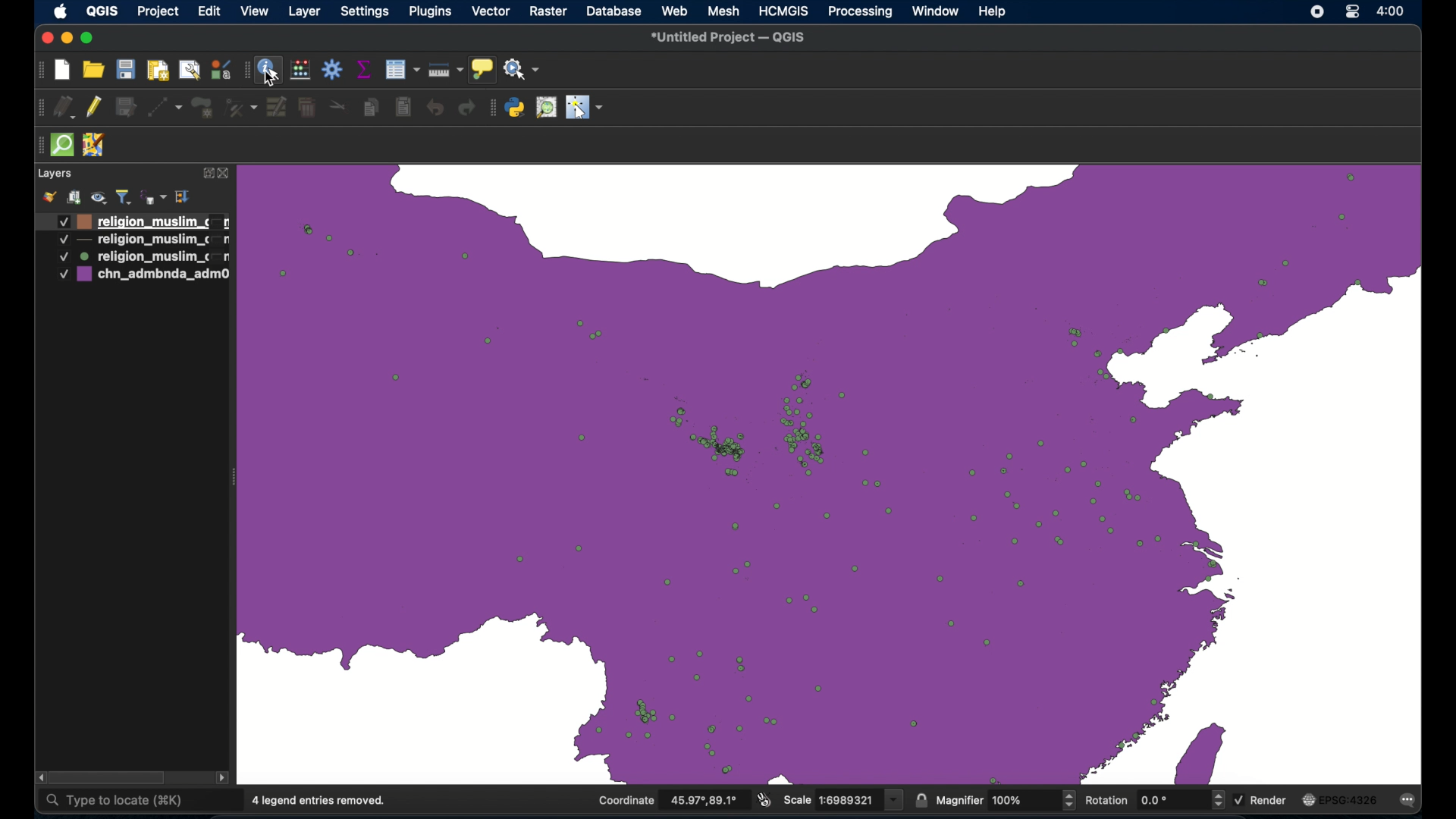  I want to click on project, so click(156, 13).